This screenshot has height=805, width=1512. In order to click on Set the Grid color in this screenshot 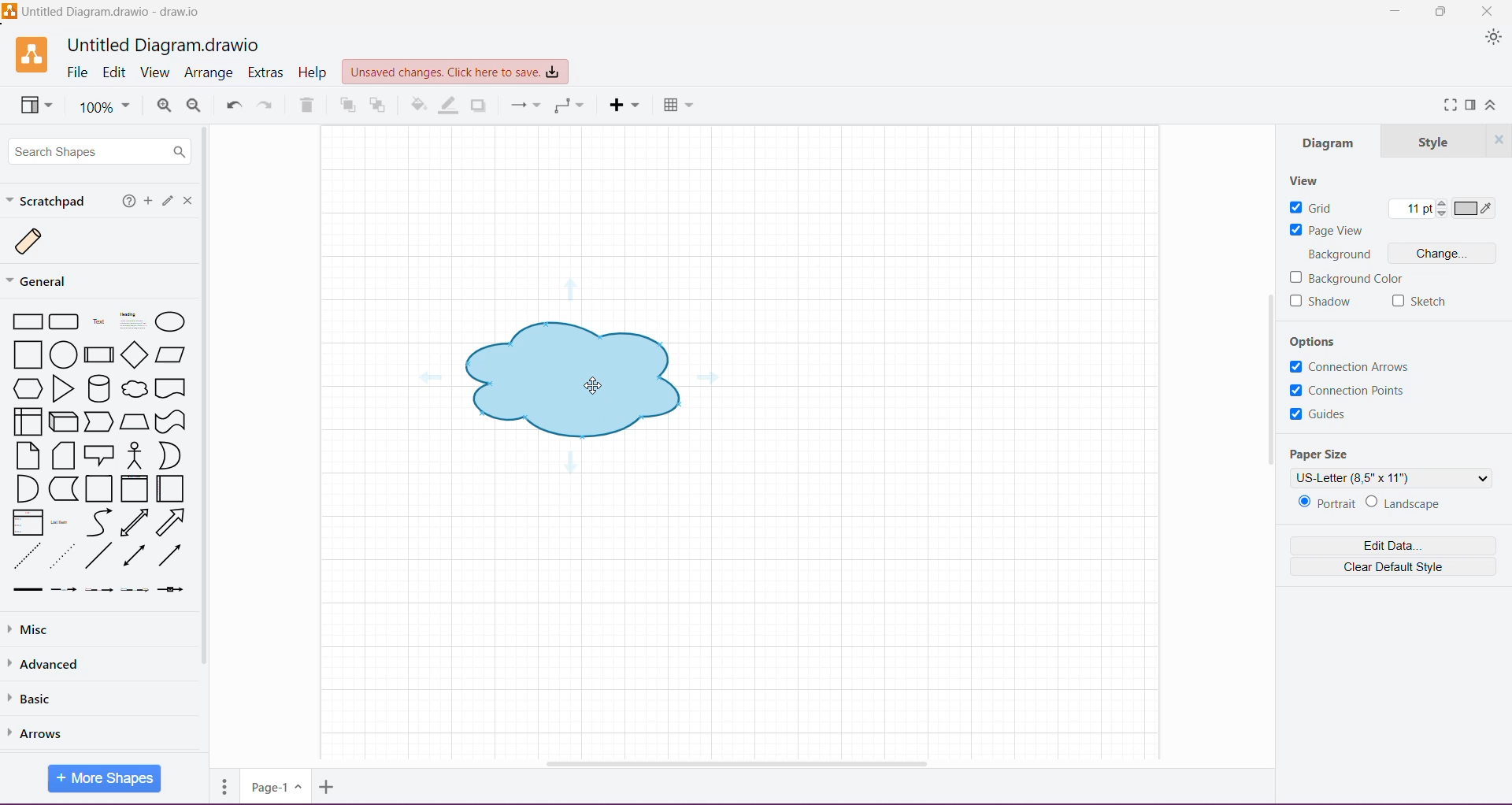, I will do `click(1474, 210)`.